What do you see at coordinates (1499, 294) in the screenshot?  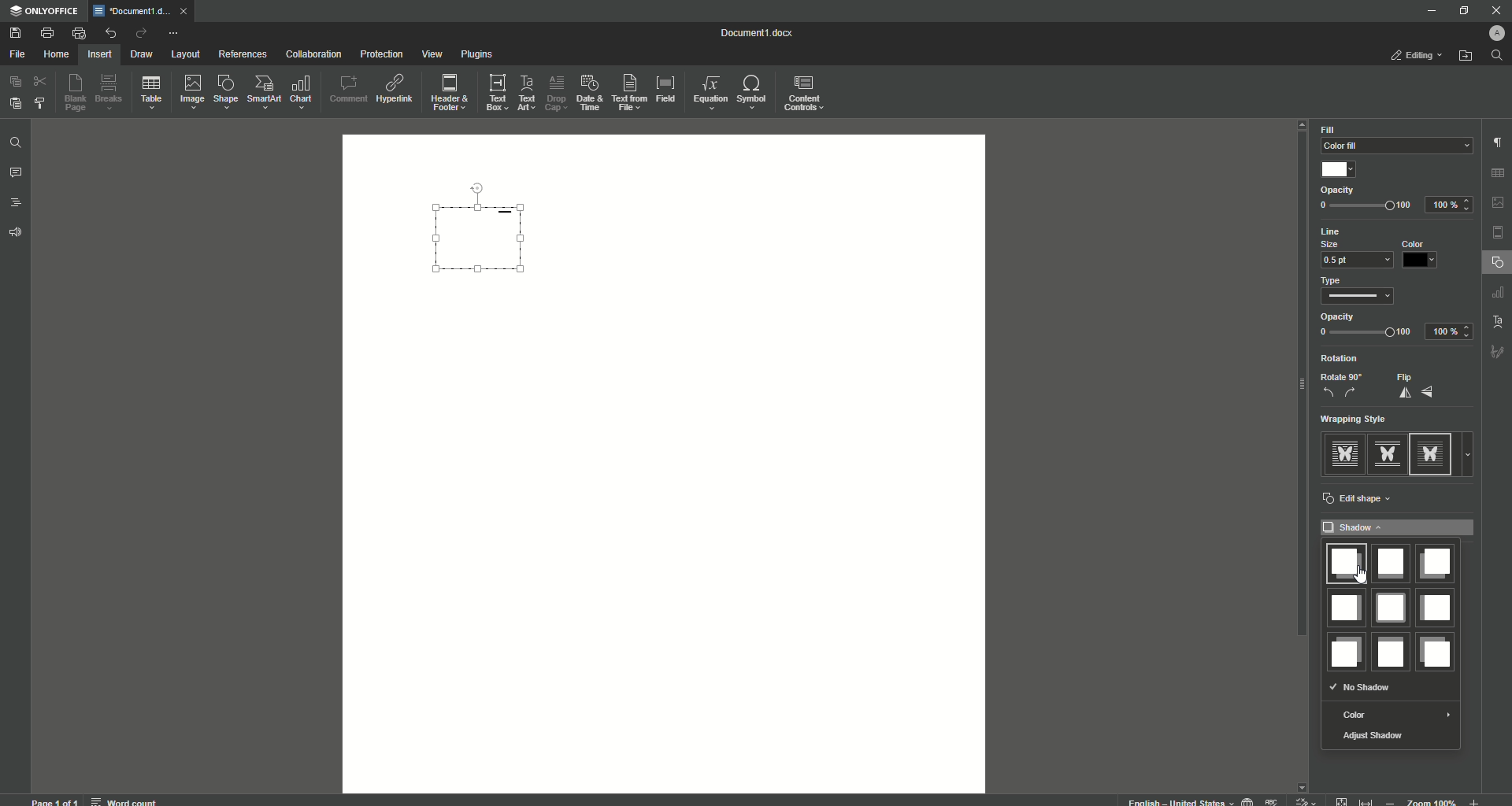 I see `table` at bounding box center [1499, 294].